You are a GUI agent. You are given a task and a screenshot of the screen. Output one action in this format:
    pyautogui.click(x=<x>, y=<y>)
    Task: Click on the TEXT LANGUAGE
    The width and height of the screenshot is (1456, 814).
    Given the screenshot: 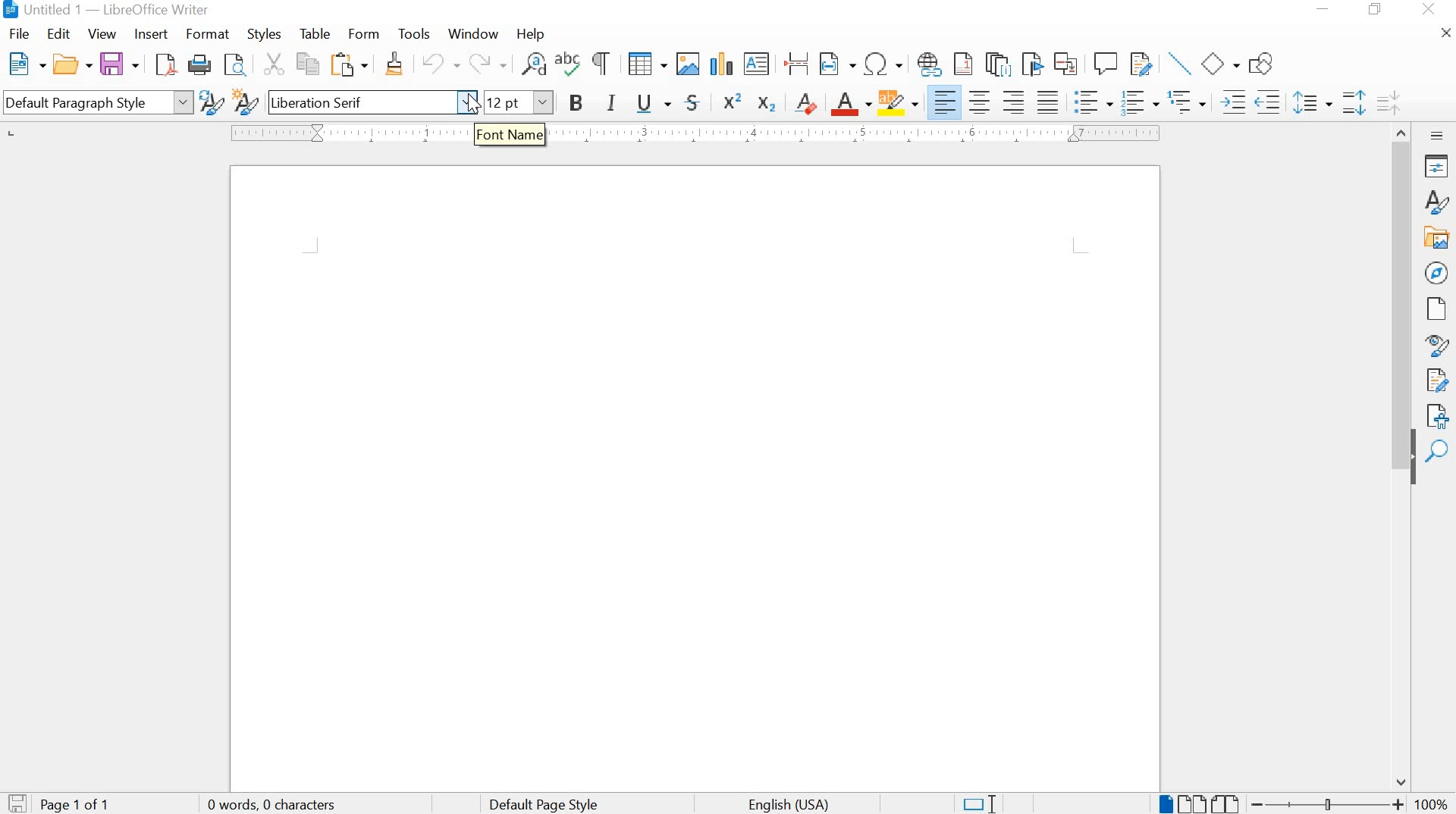 What is the action you would take?
    pyautogui.click(x=797, y=803)
    